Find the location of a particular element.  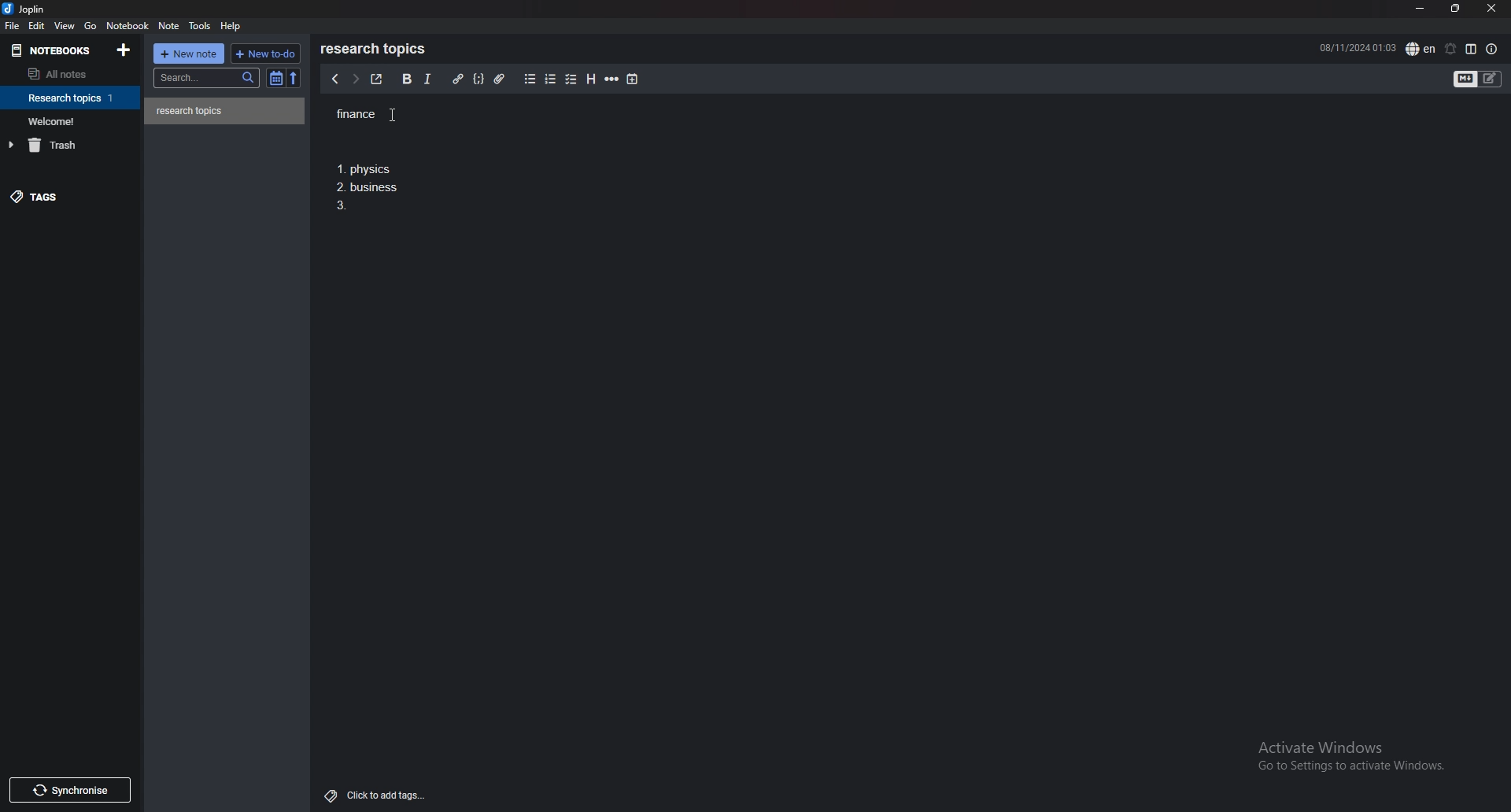

spell check is located at coordinates (1420, 48).